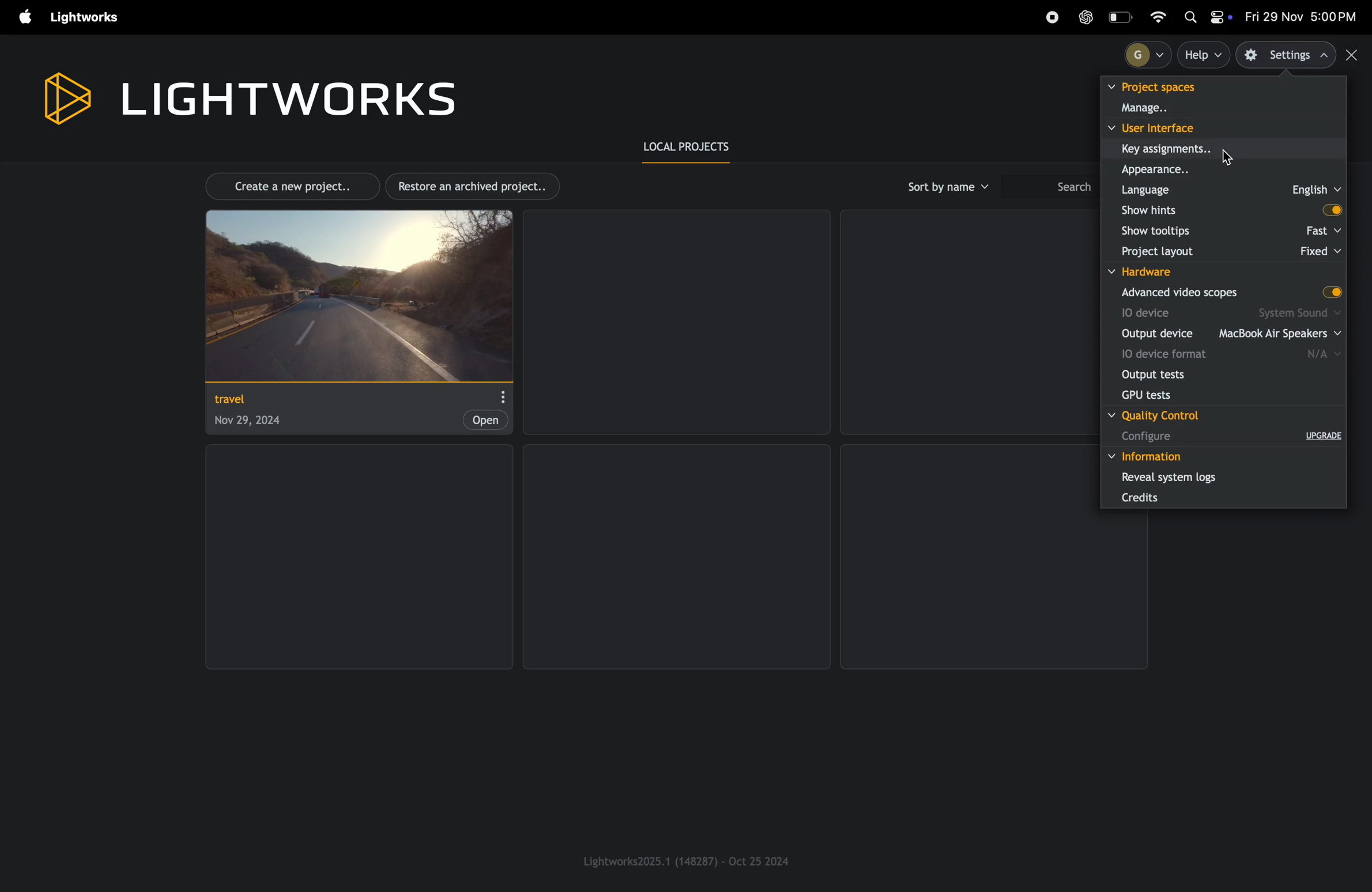 The width and height of the screenshot is (1372, 892). Describe the element at coordinates (1226, 354) in the screenshot. I see `io device format` at that location.